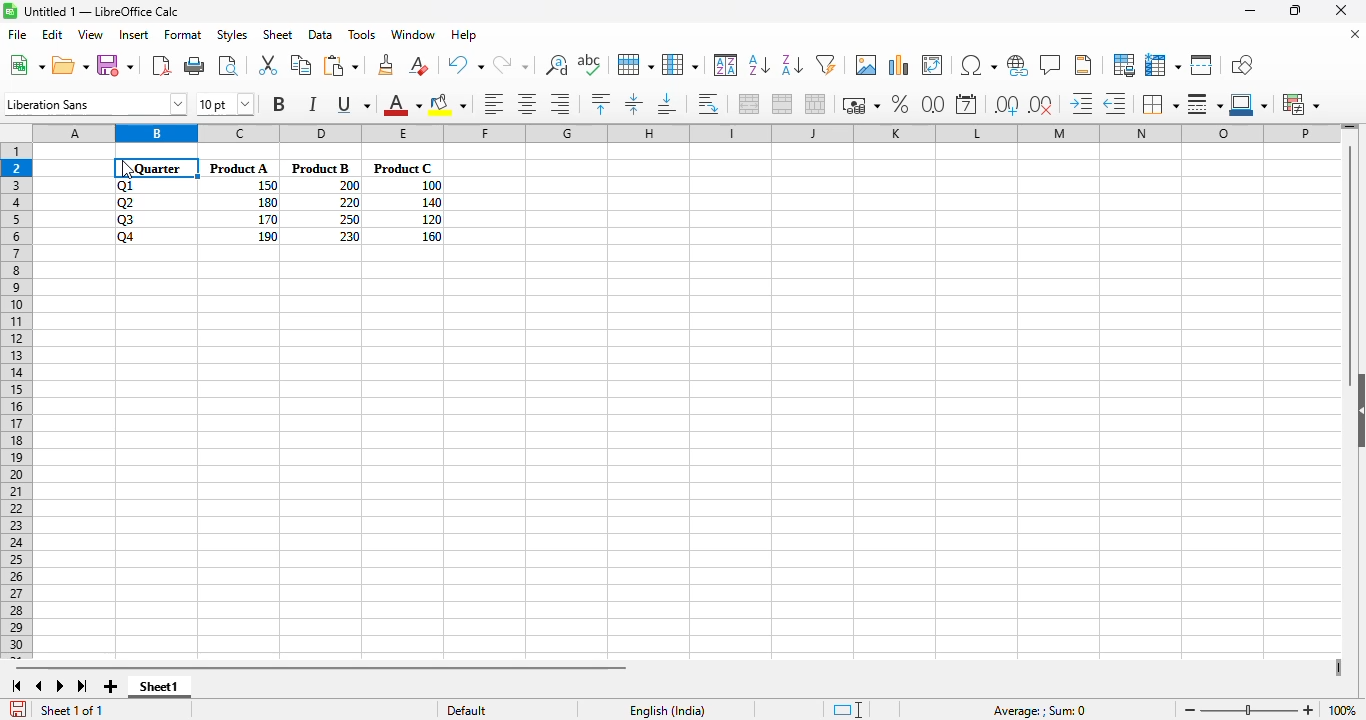 The width and height of the screenshot is (1366, 720). What do you see at coordinates (899, 64) in the screenshot?
I see `insert chart` at bounding box center [899, 64].